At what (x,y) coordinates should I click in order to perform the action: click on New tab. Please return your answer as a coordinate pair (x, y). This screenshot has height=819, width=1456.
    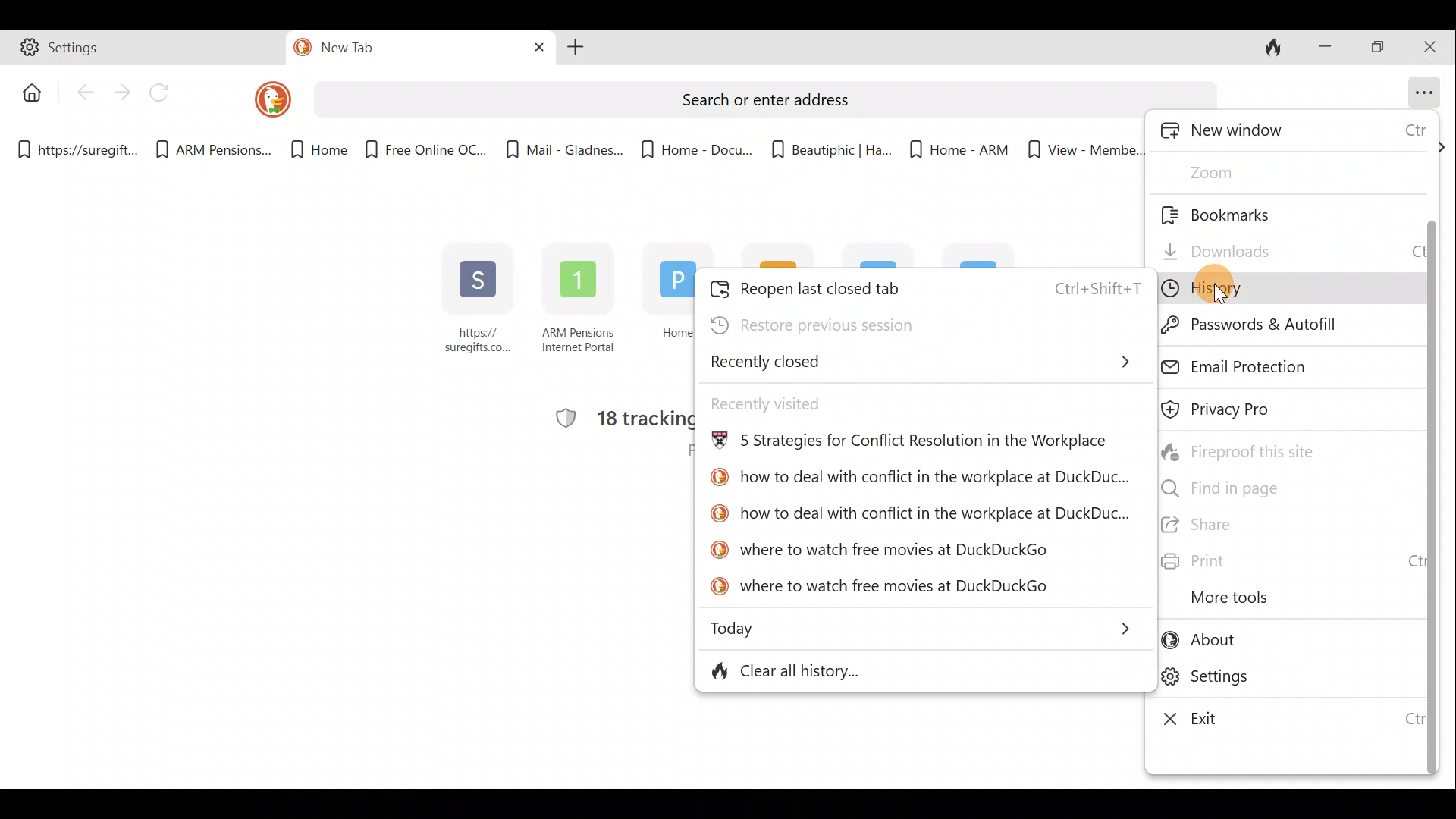
    Looking at the image, I should click on (388, 50).